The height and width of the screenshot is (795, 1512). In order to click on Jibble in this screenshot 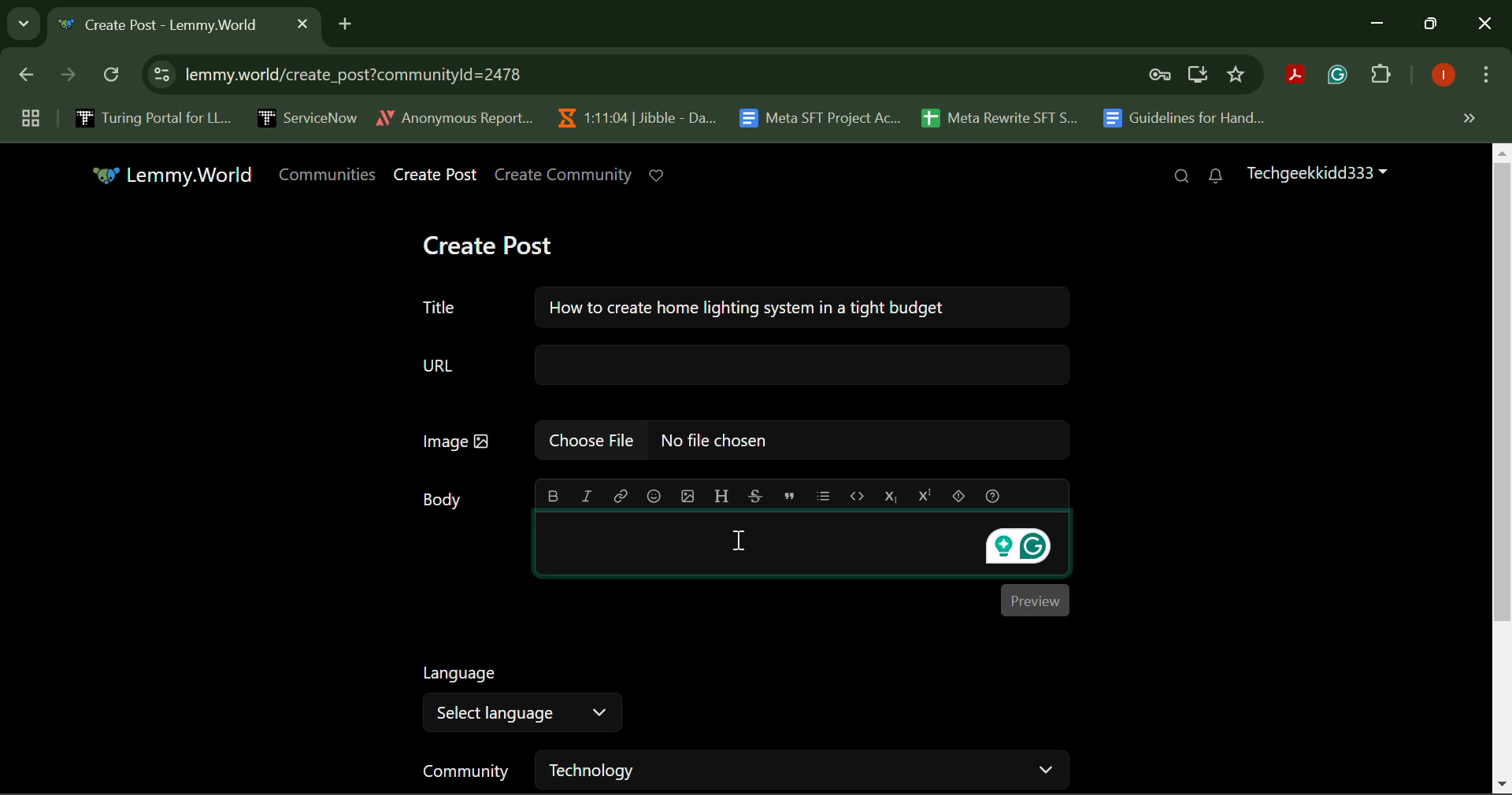, I will do `click(633, 114)`.